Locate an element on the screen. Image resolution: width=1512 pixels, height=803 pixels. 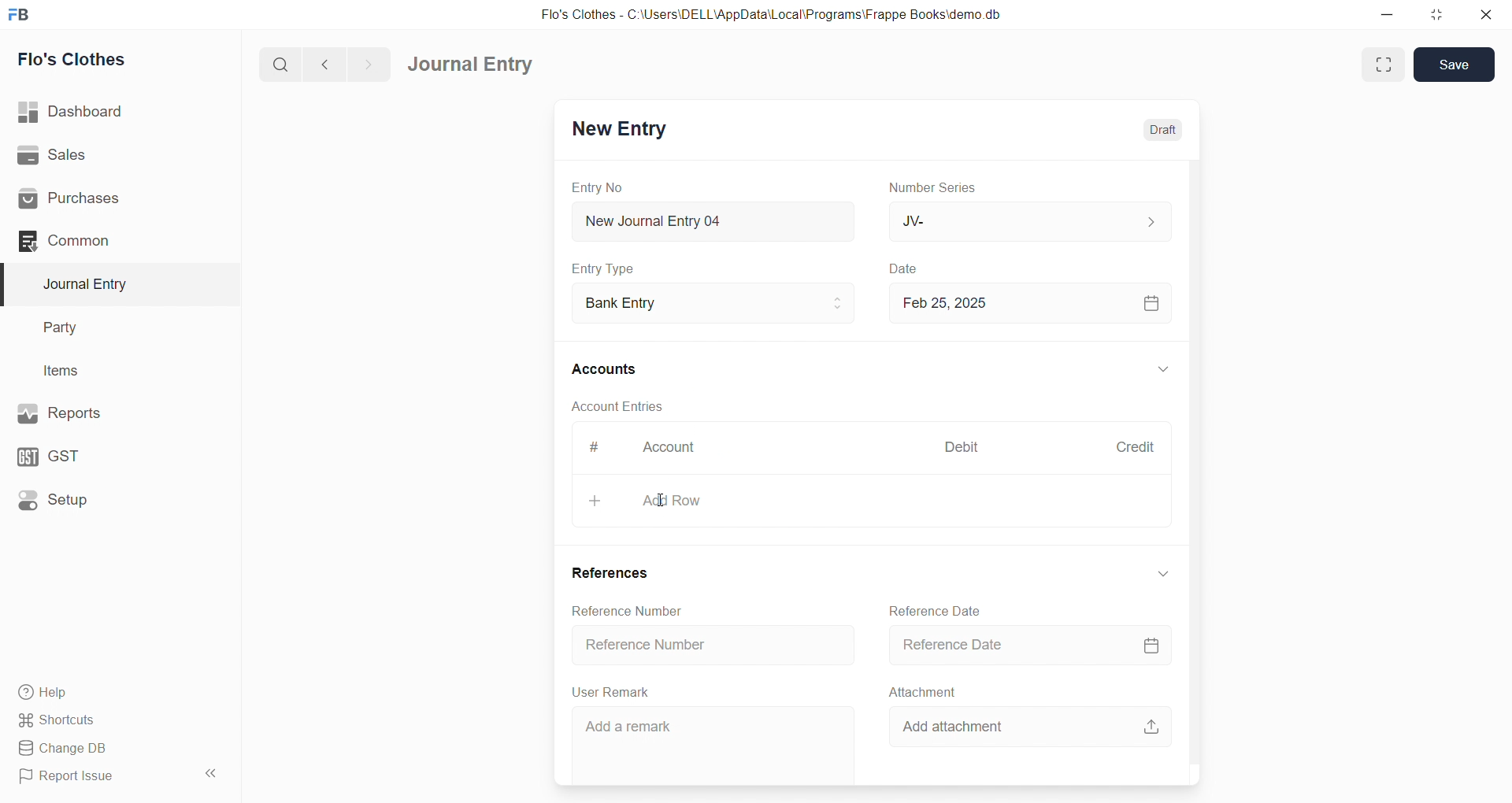
Add a remark is located at coordinates (714, 742).